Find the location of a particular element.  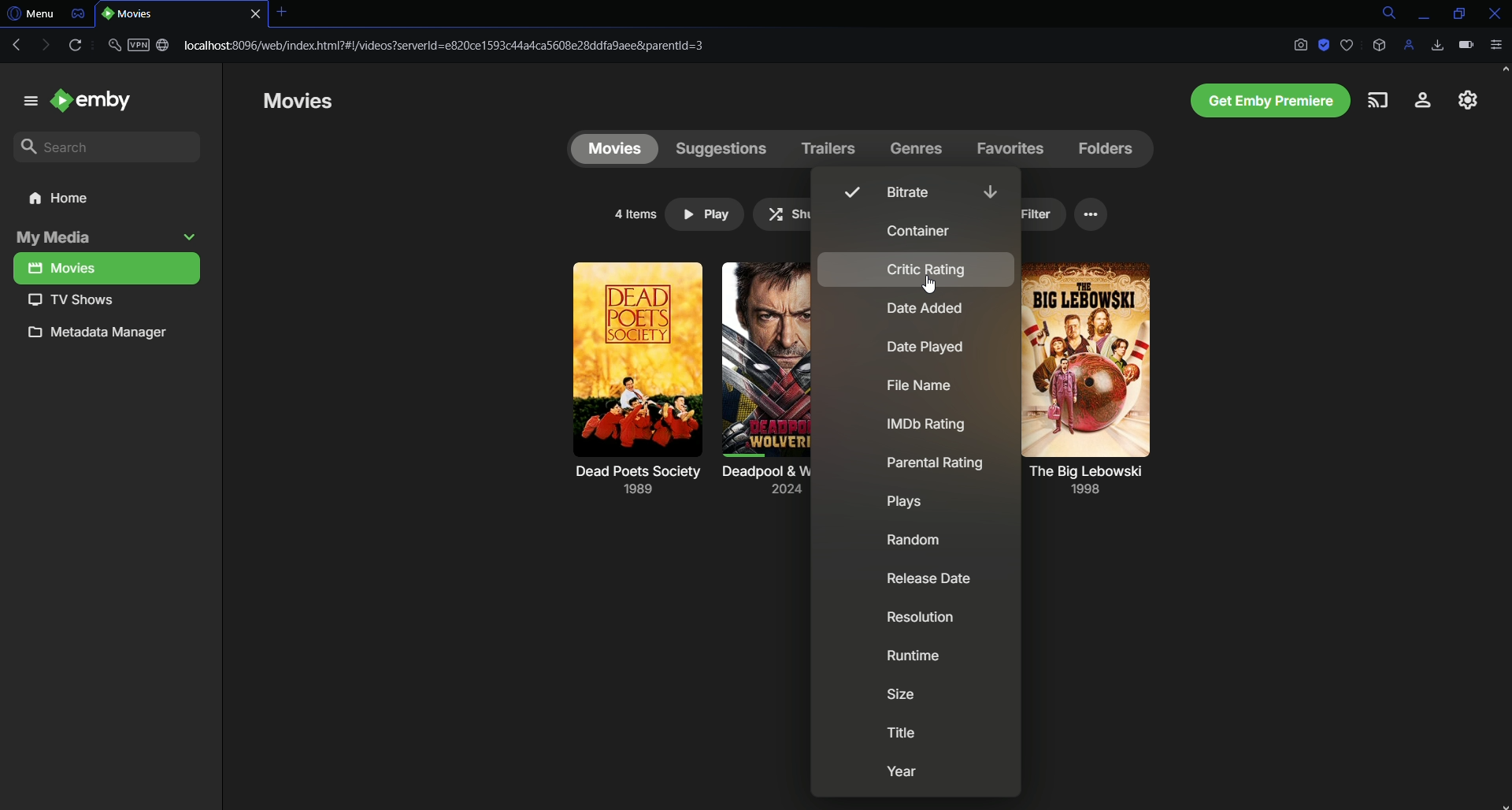

Minimize is located at coordinates (1421, 13).